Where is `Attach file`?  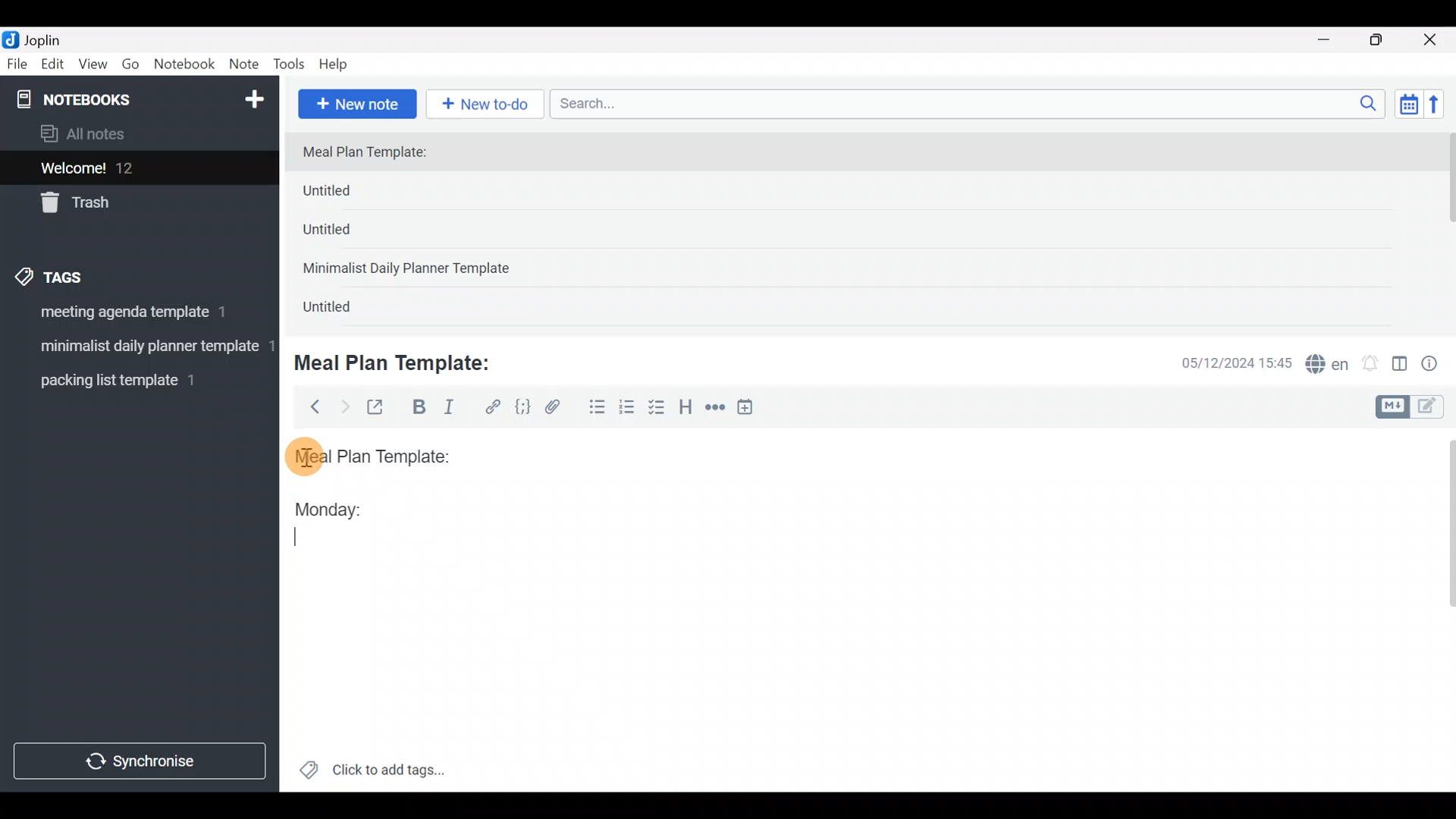 Attach file is located at coordinates (557, 409).